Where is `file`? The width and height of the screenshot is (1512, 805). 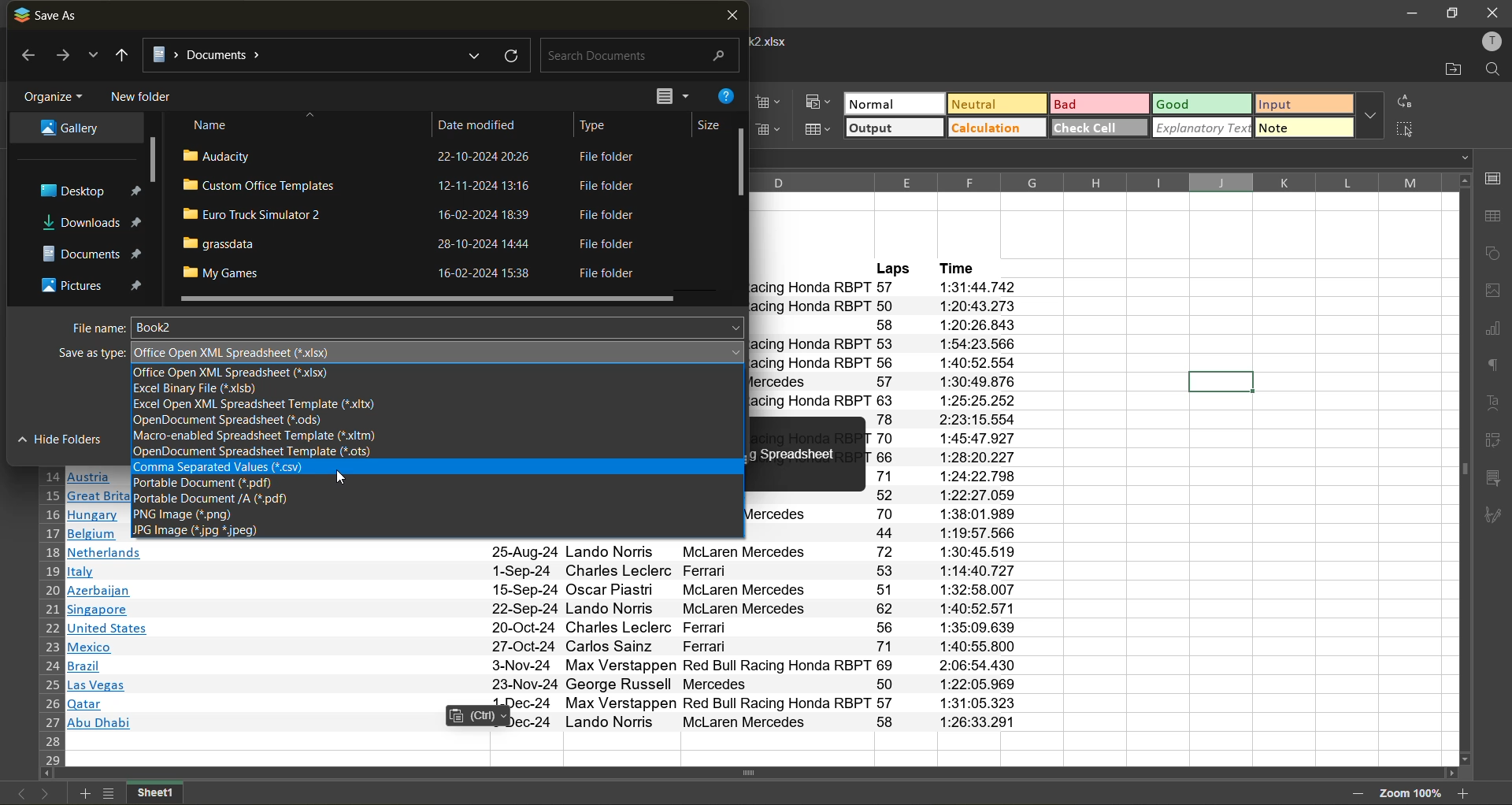
file is located at coordinates (415, 244).